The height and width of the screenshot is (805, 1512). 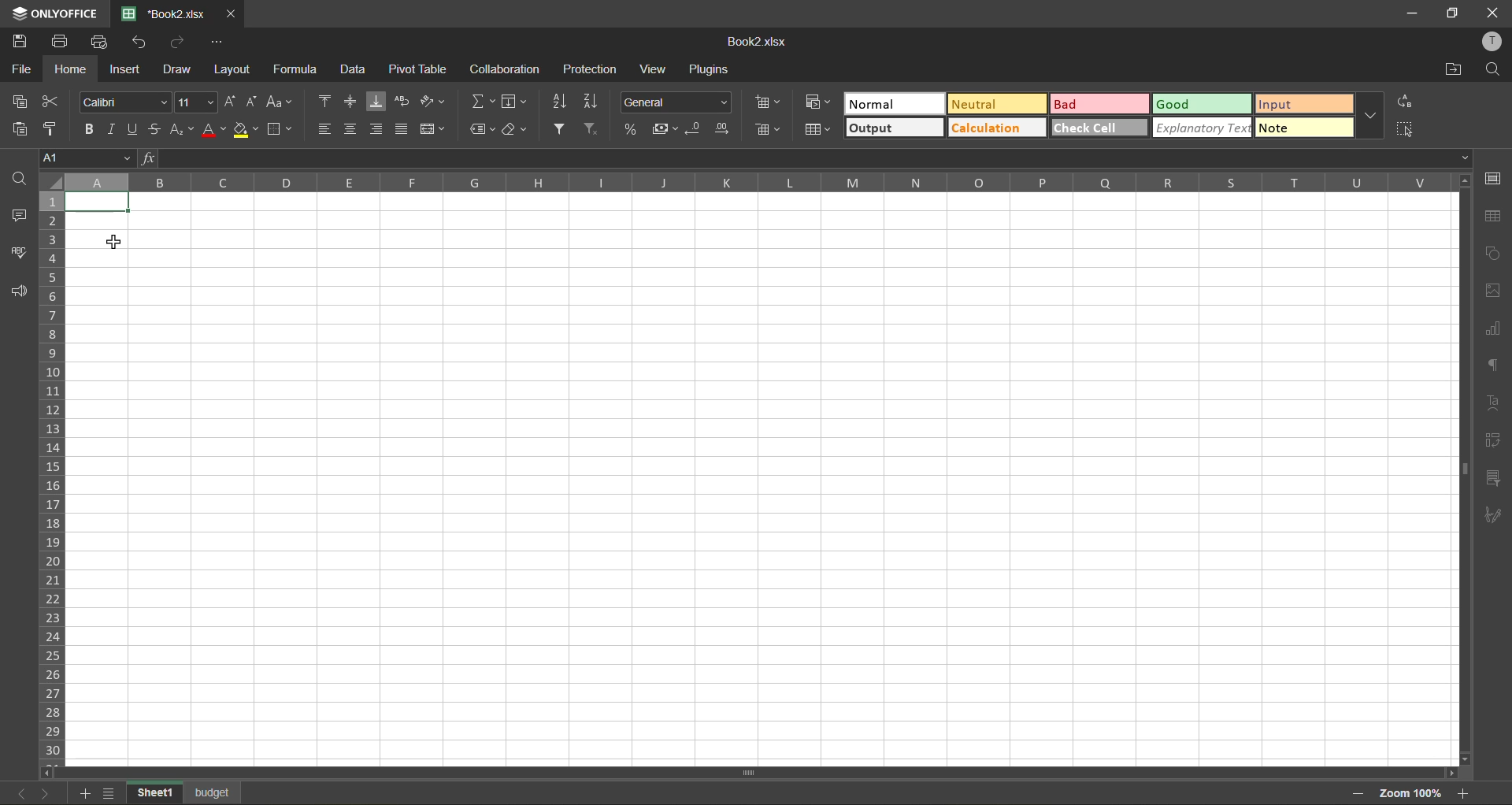 What do you see at coordinates (433, 101) in the screenshot?
I see `orientation` at bounding box center [433, 101].